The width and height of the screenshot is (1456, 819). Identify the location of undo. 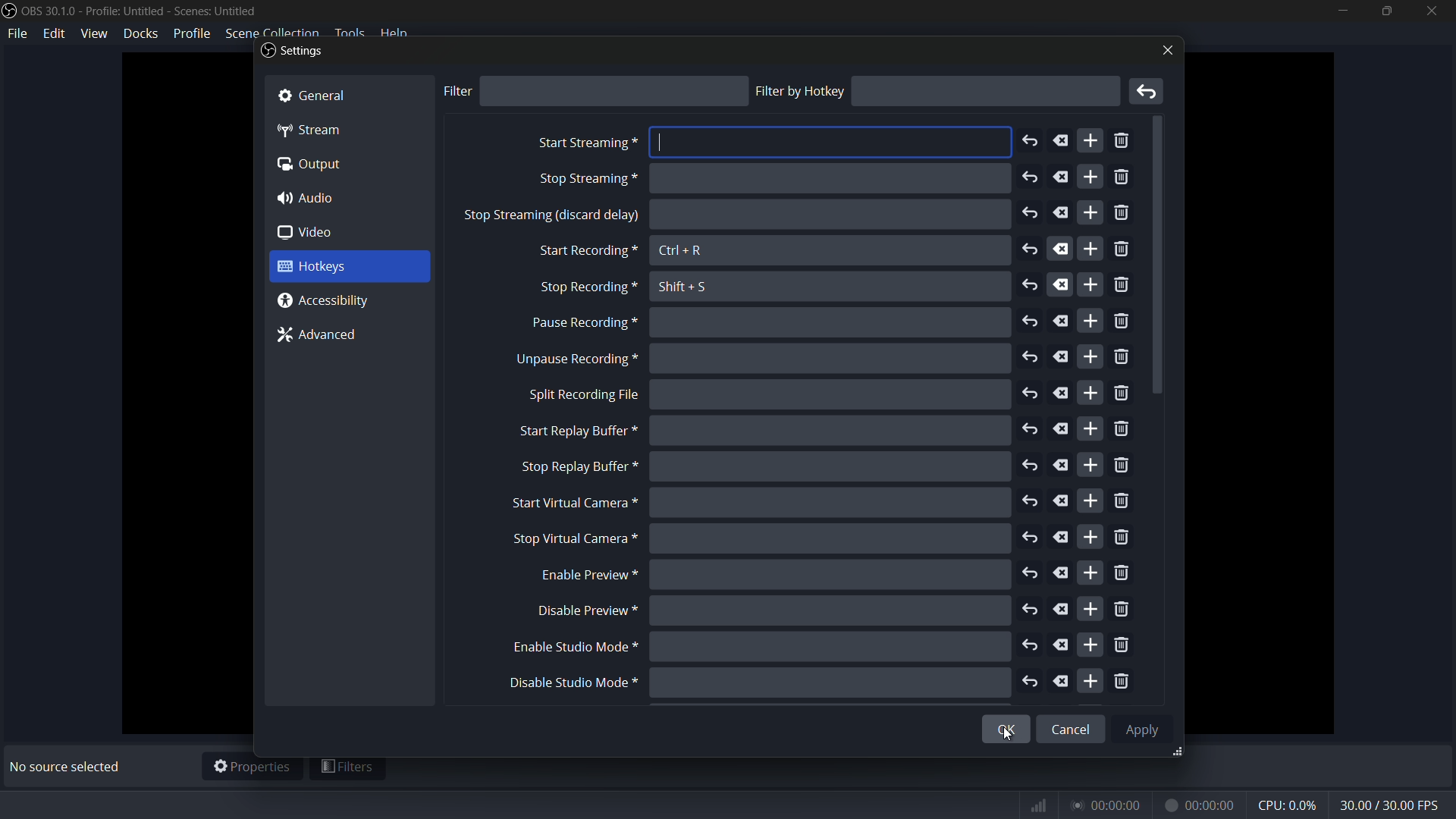
(1031, 648).